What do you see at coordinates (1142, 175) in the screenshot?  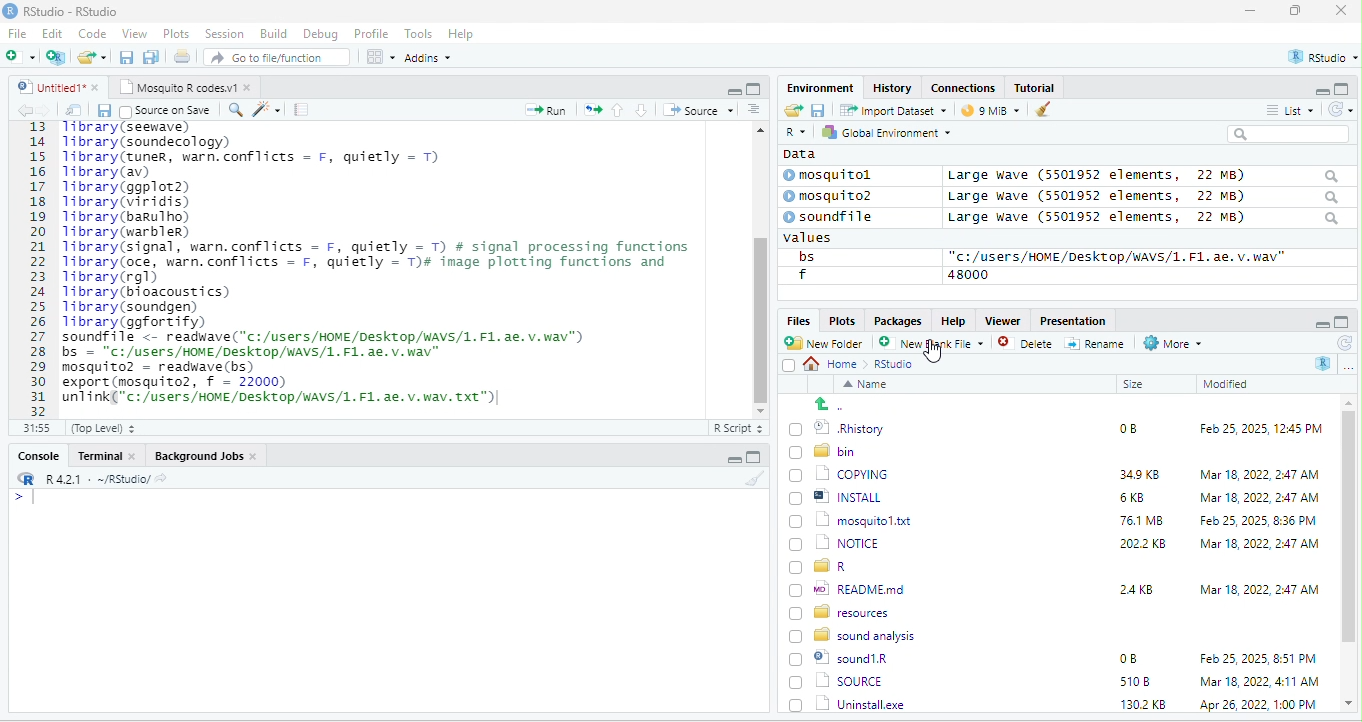 I see `Large wave (5501952 elements, 22 MB)` at bounding box center [1142, 175].